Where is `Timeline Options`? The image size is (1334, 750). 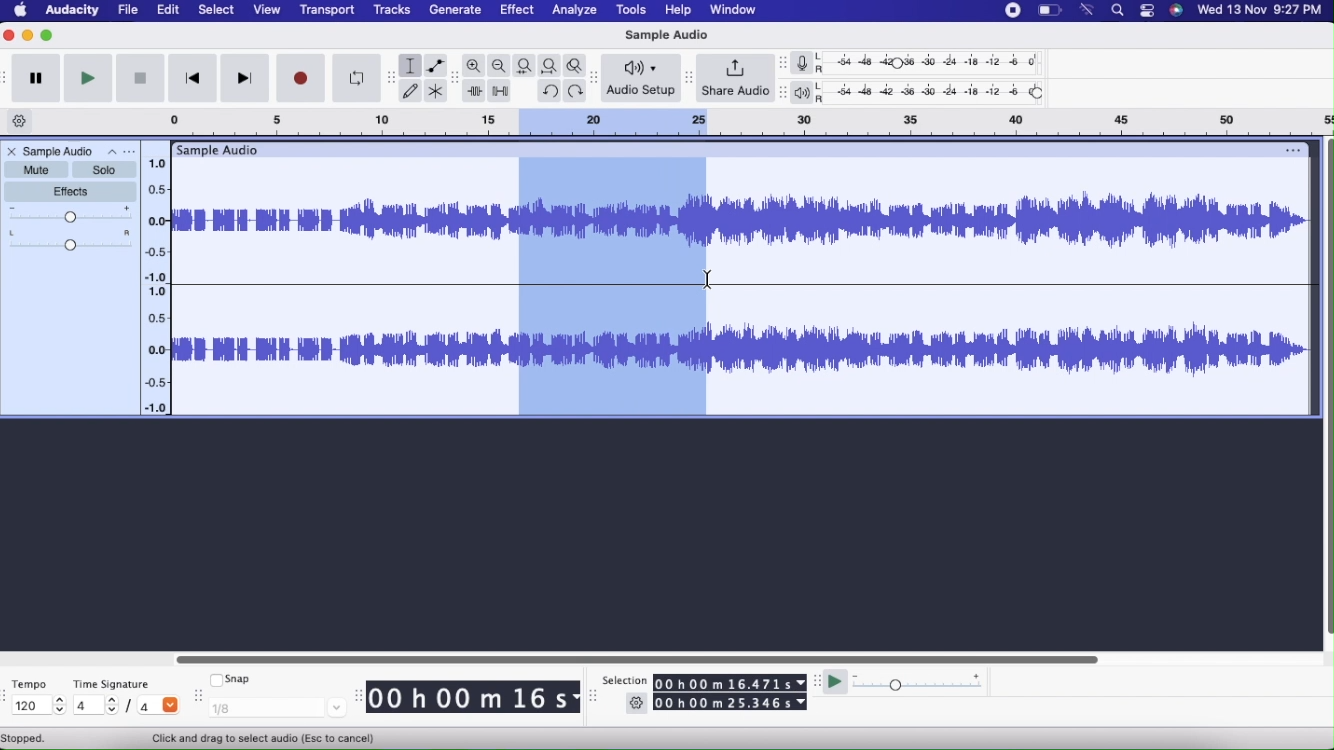
Timeline Options is located at coordinates (21, 122).